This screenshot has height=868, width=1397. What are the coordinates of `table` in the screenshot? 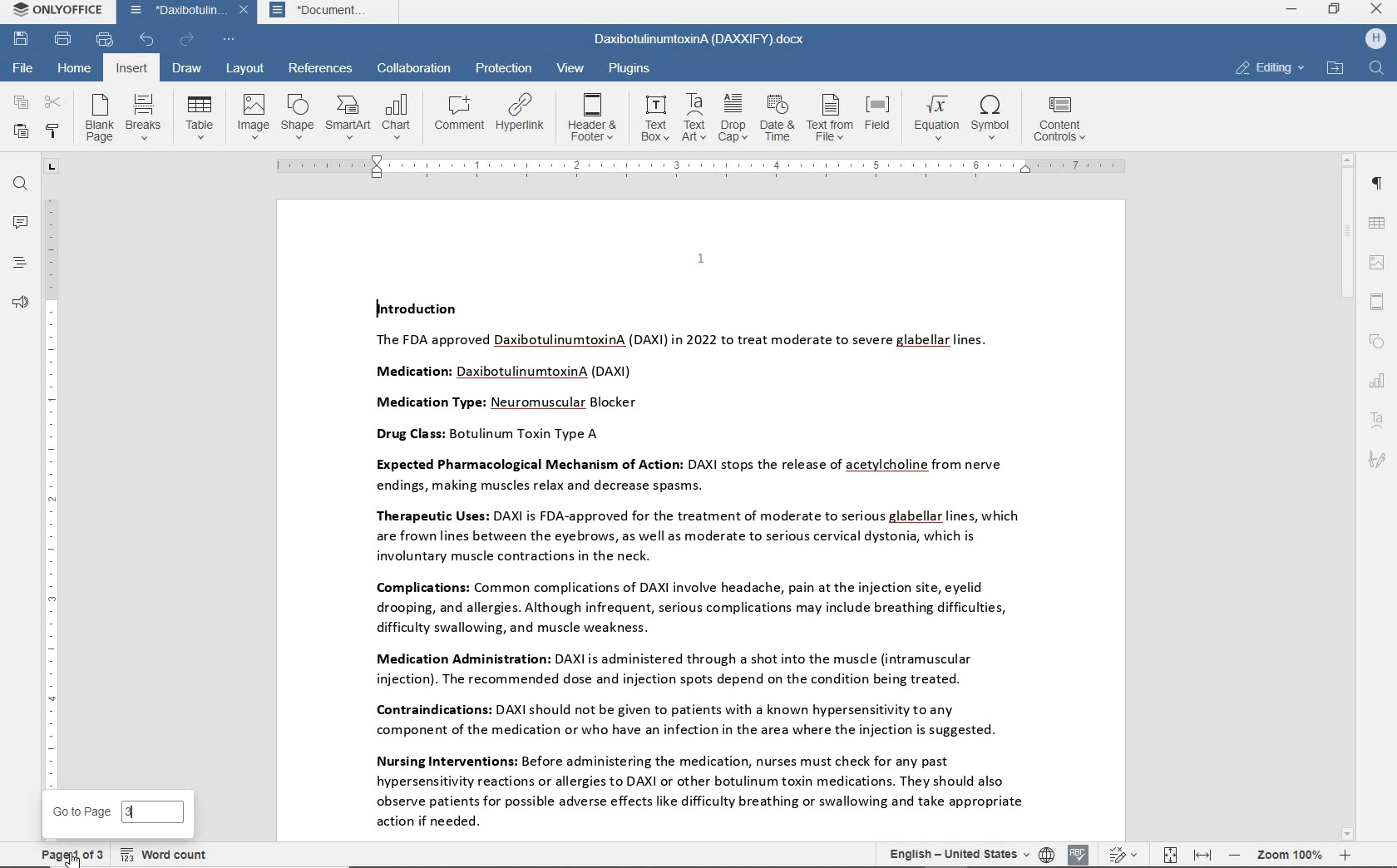 It's located at (1378, 224).